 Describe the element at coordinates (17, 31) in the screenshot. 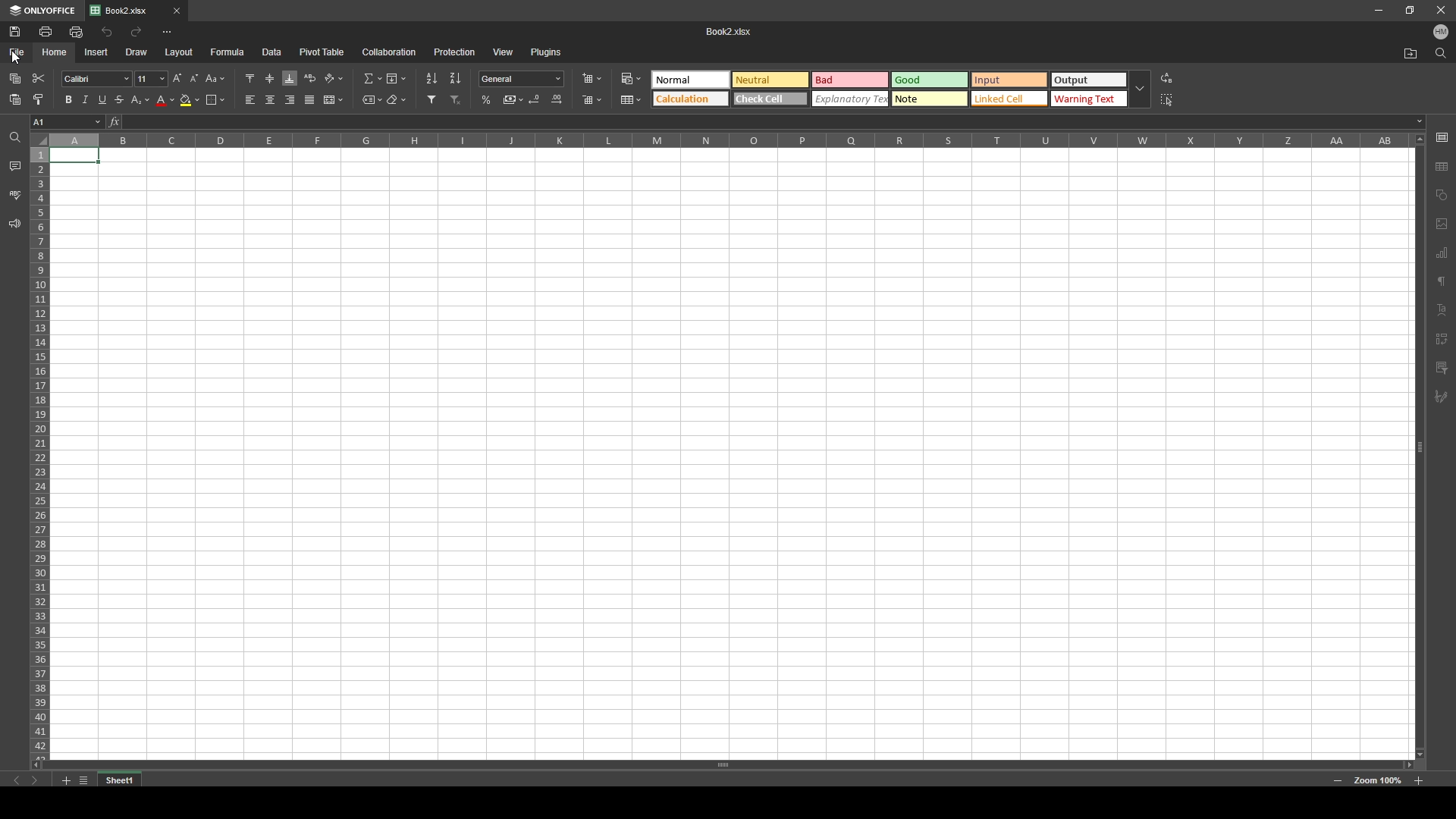

I see `save` at that location.